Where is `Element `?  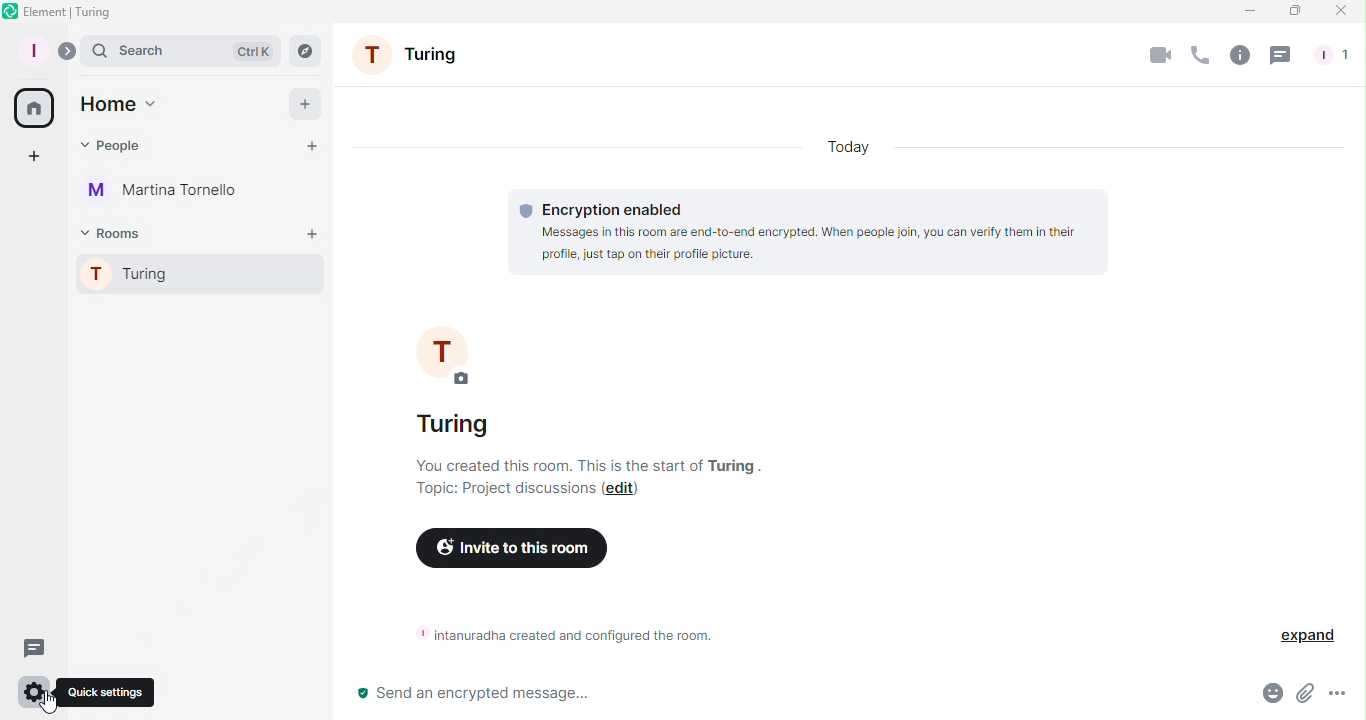 Element  is located at coordinates (47, 10).